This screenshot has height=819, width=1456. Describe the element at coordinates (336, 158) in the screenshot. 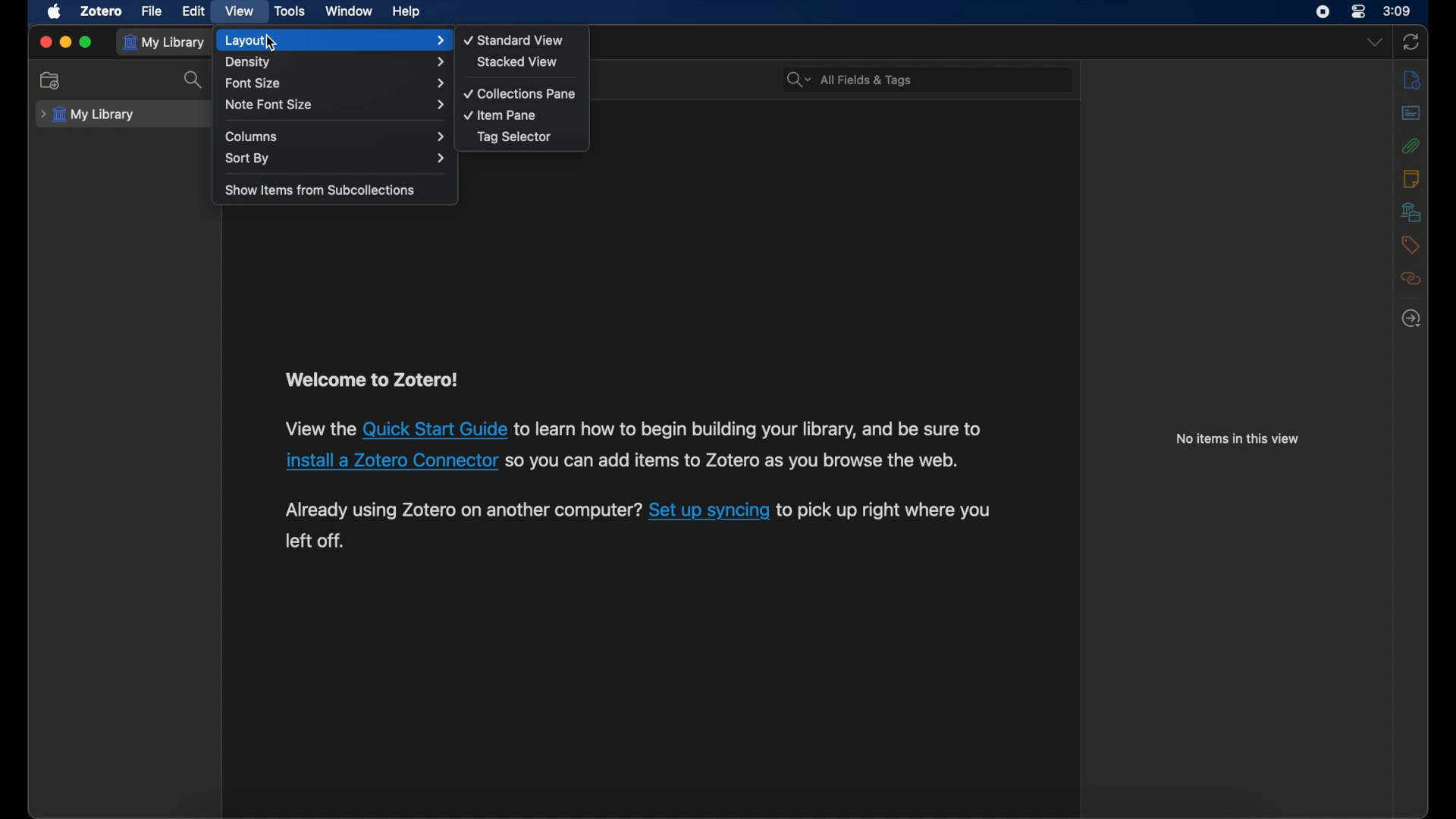

I see `sort by menu` at that location.